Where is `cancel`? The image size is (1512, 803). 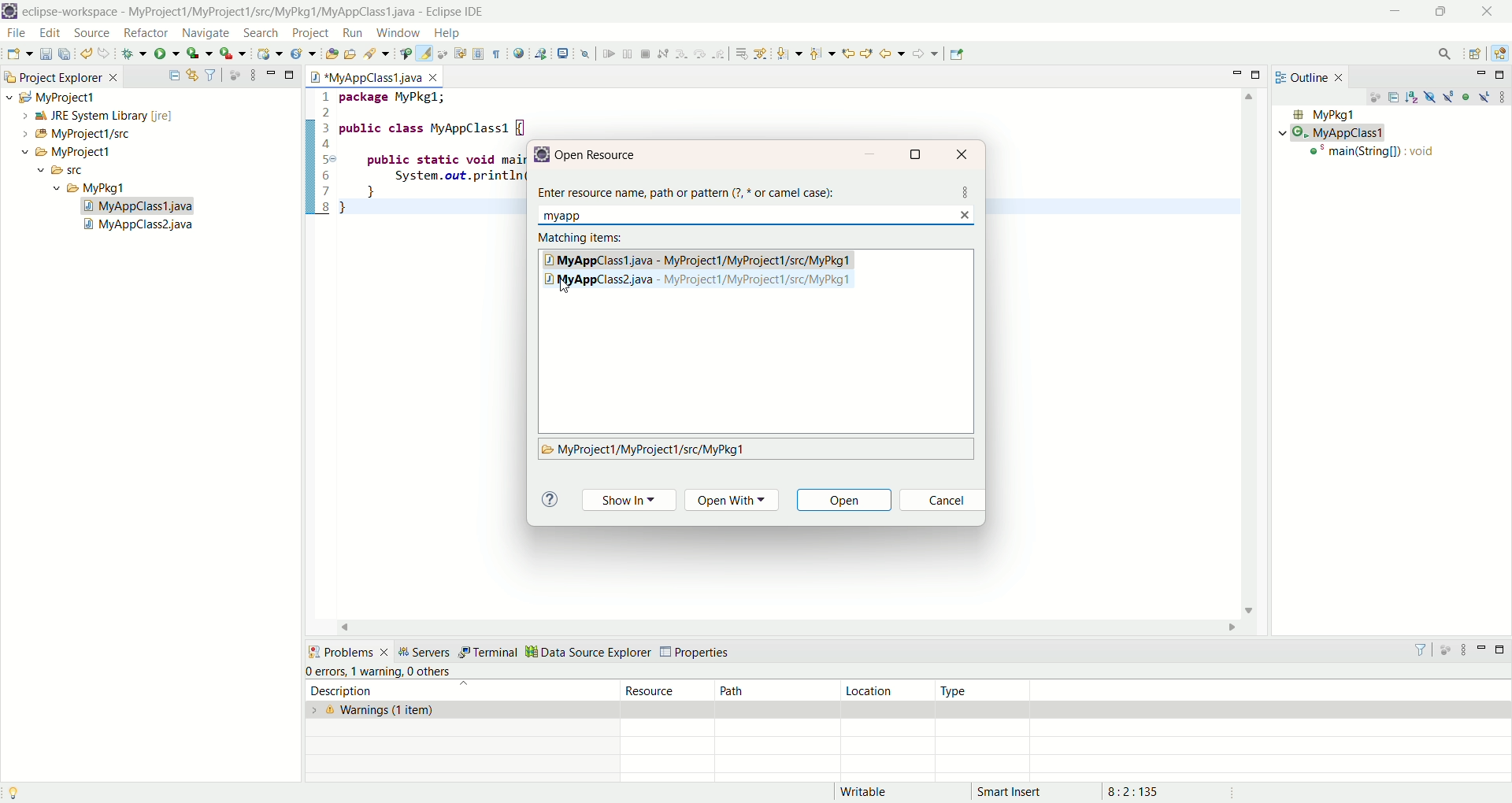 cancel is located at coordinates (942, 502).